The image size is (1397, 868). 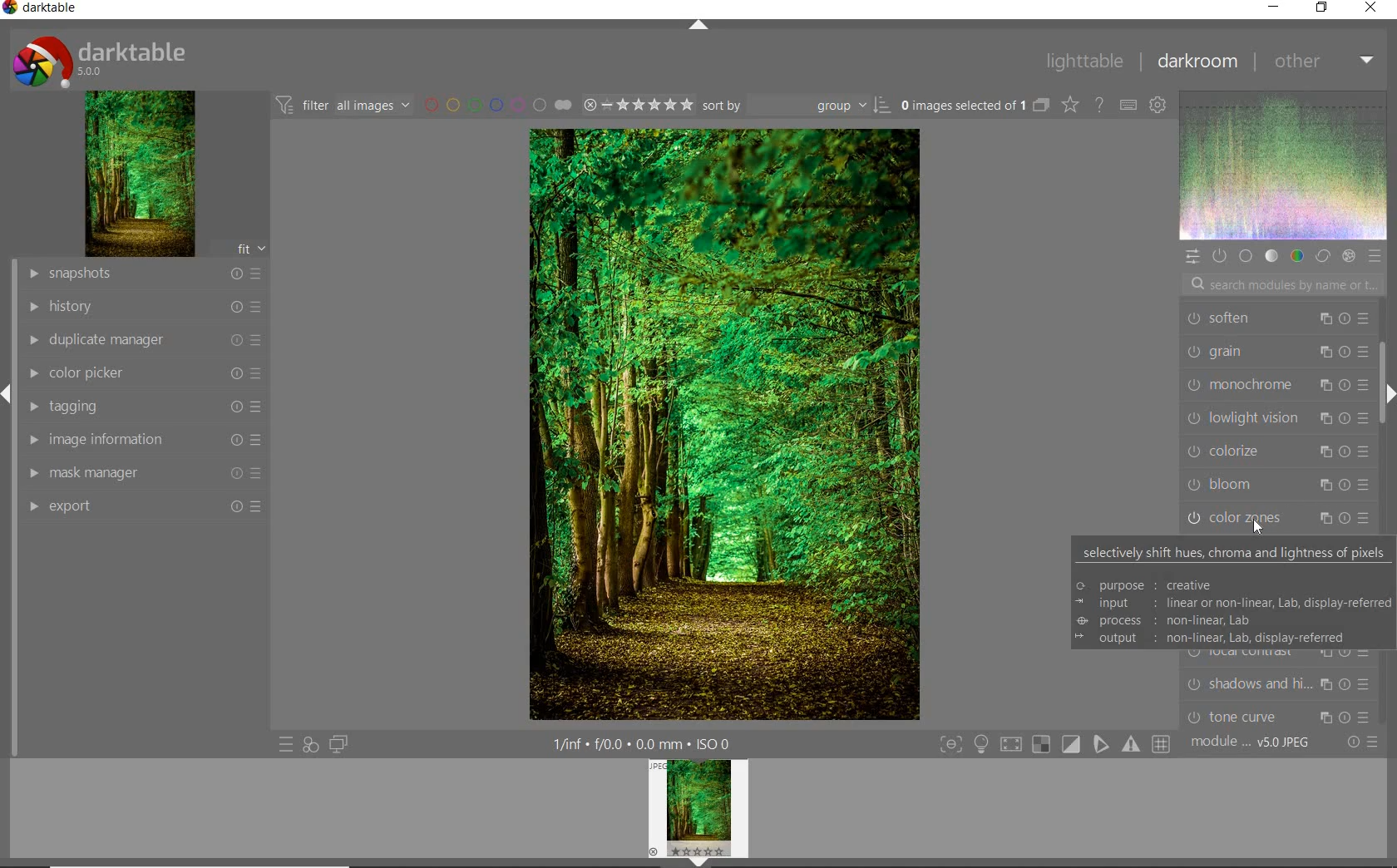 What do you see at coordinates (697, 24) in the screenshot?
I see `EXPAND/COLLAPSE` at bounding box center [697, 24].